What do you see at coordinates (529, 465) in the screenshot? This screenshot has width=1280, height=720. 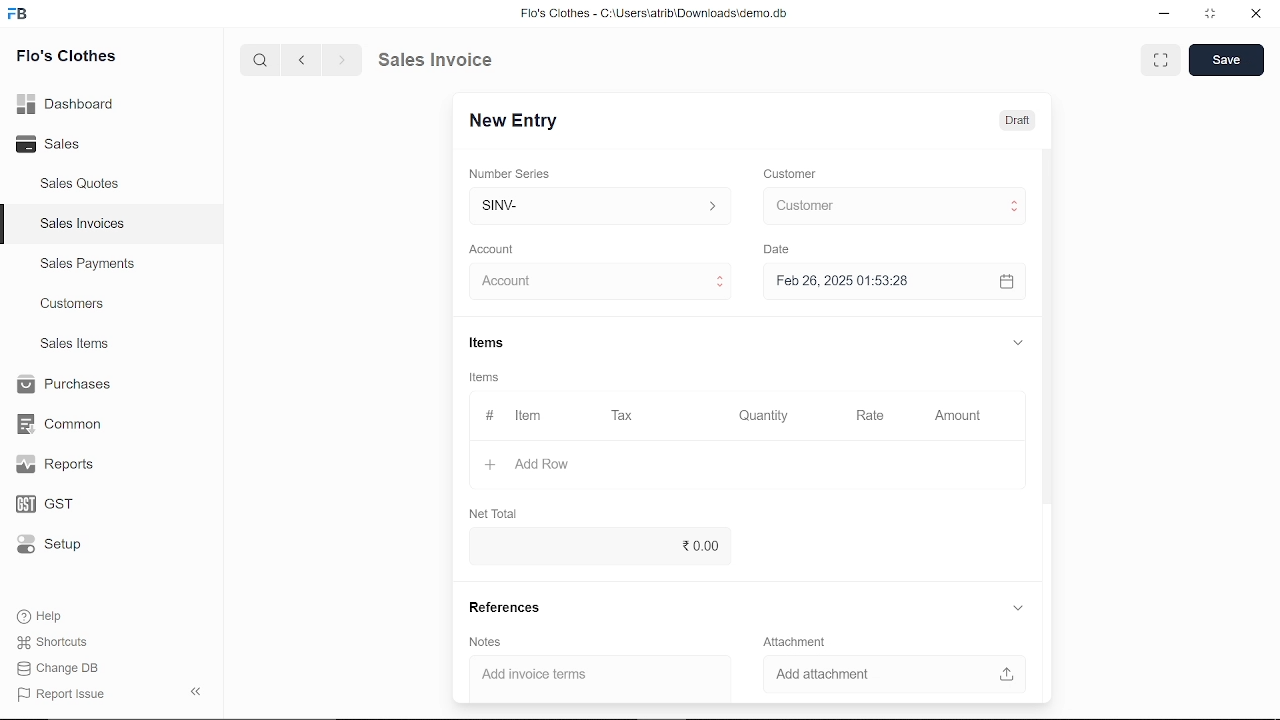 I see `Add Row` at bounding box center [529, 465].